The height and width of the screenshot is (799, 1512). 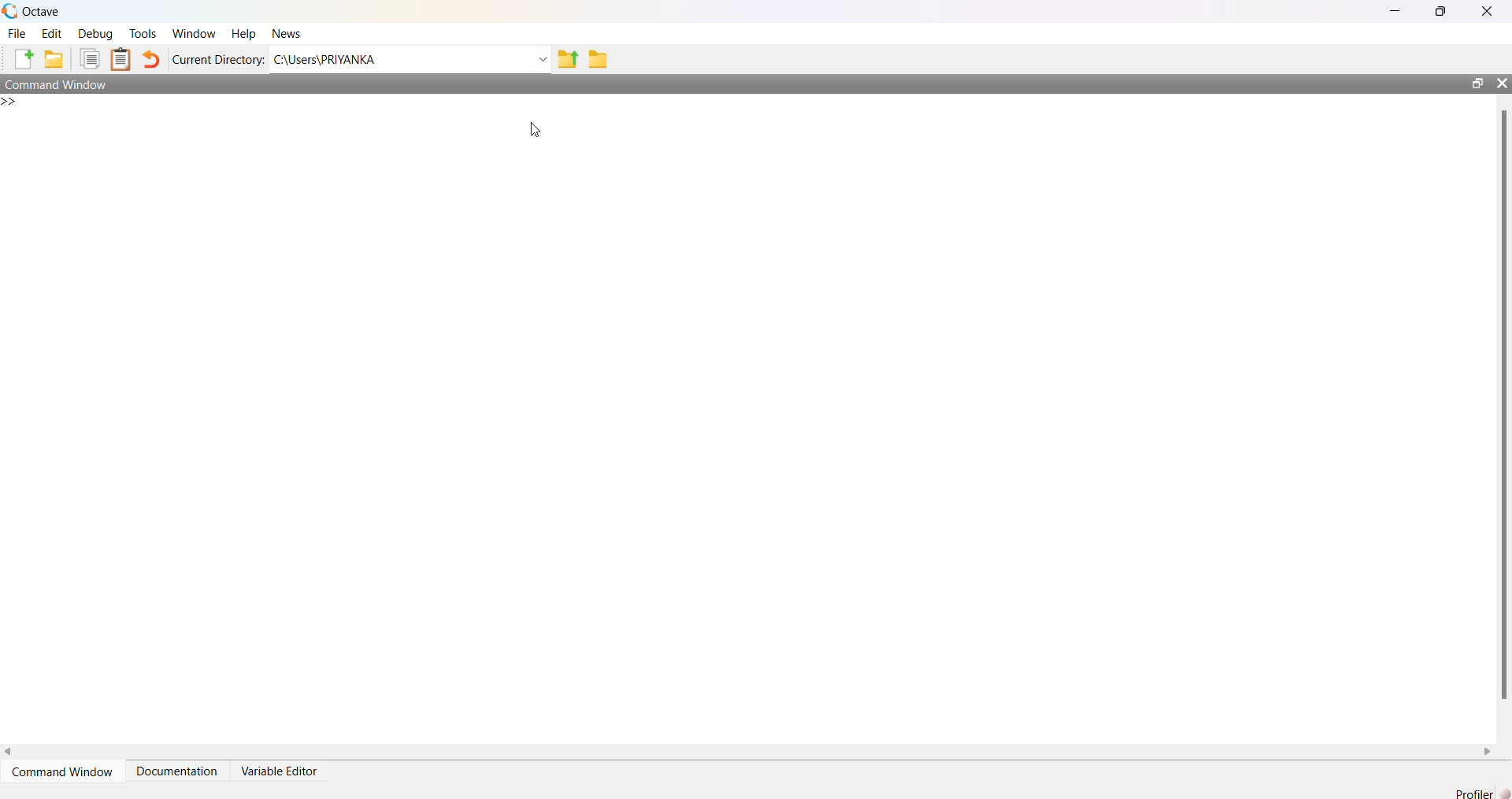 I want to click on maximise, so click(x=1443, y=13).